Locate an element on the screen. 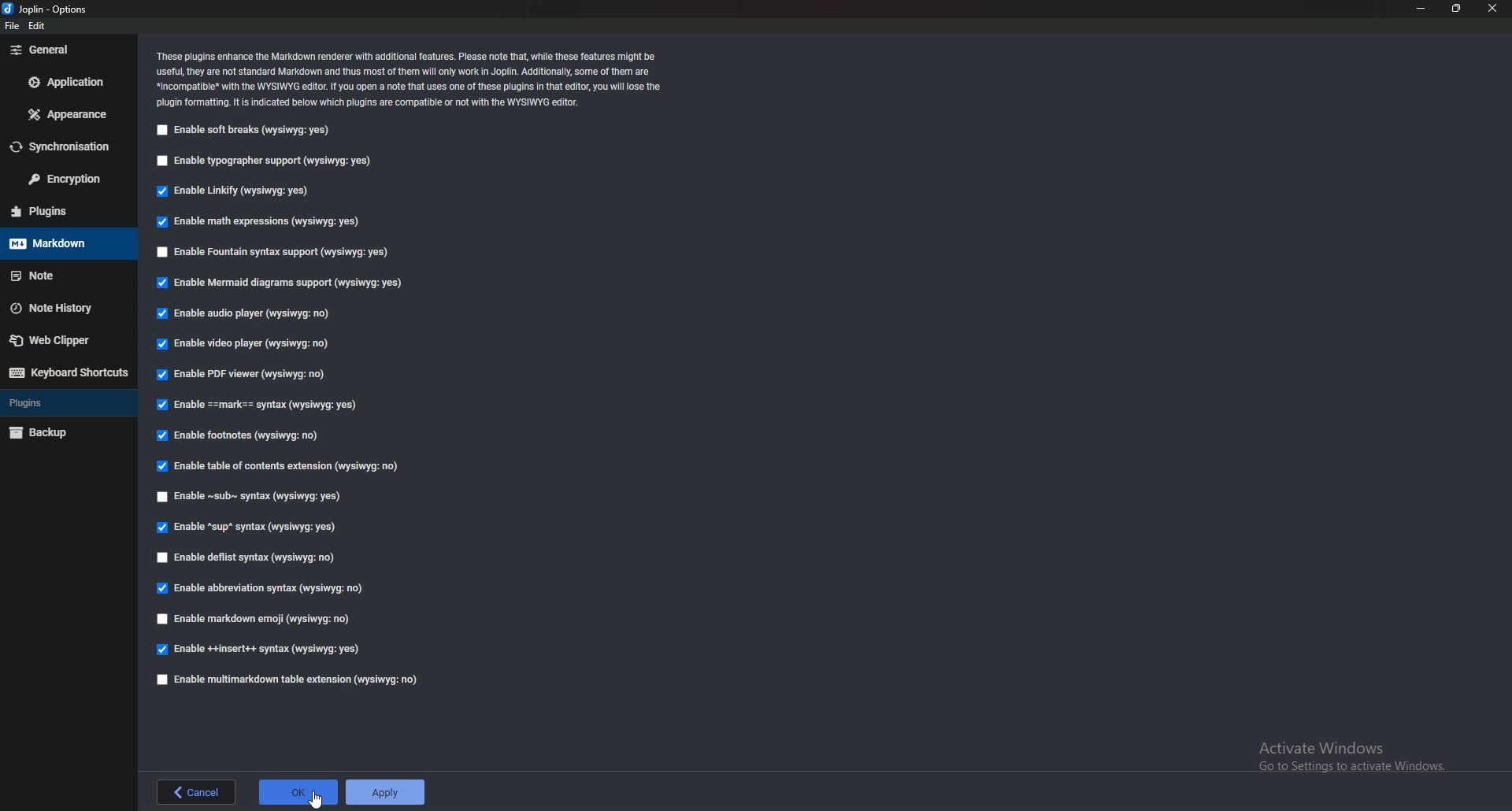 This screenshot has width=1512, height=811. Enable typographer support (wysiwyg: yes) is located at coordinates (269, 158).